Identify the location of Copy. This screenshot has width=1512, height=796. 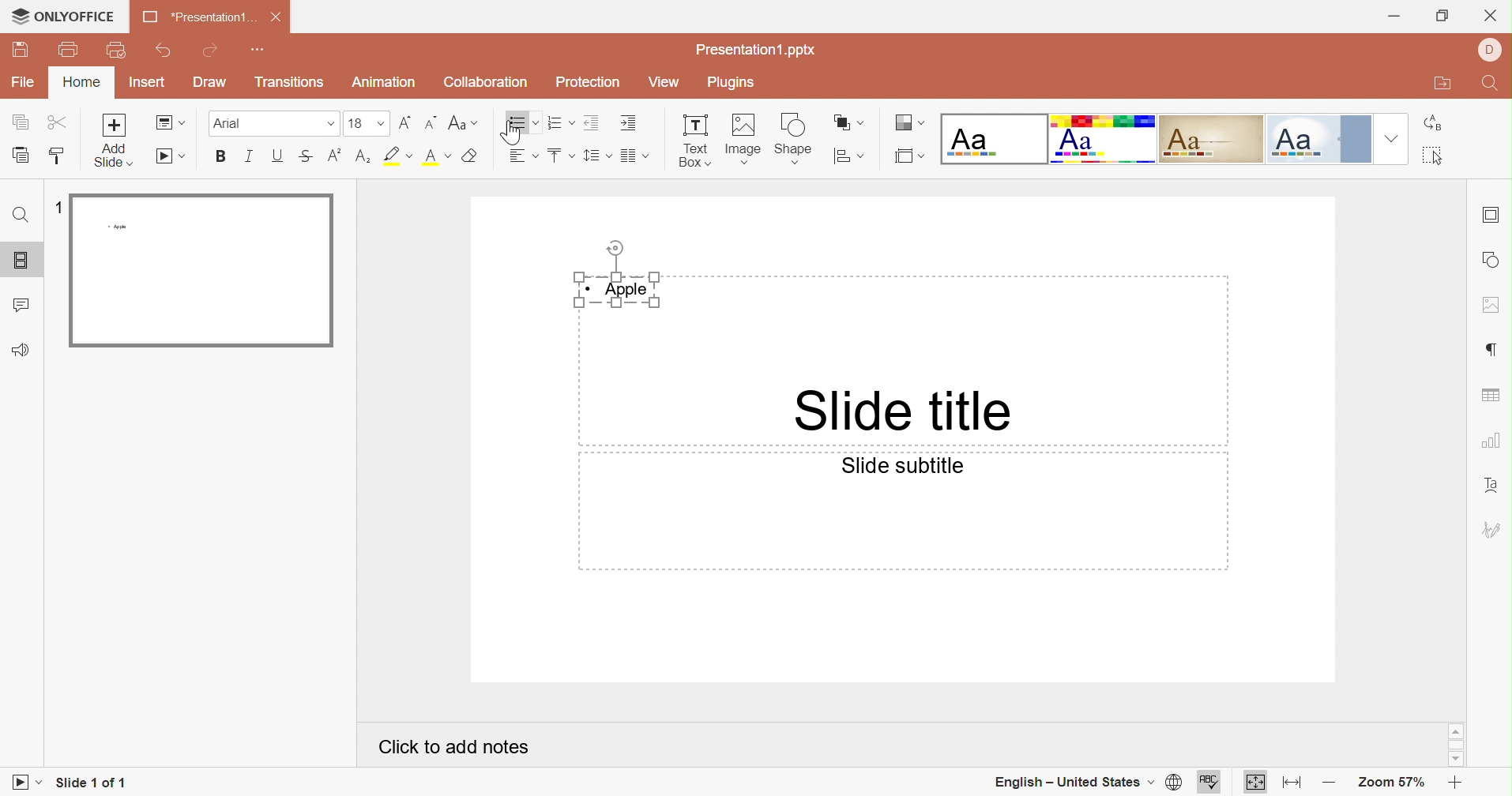
(21, 123).